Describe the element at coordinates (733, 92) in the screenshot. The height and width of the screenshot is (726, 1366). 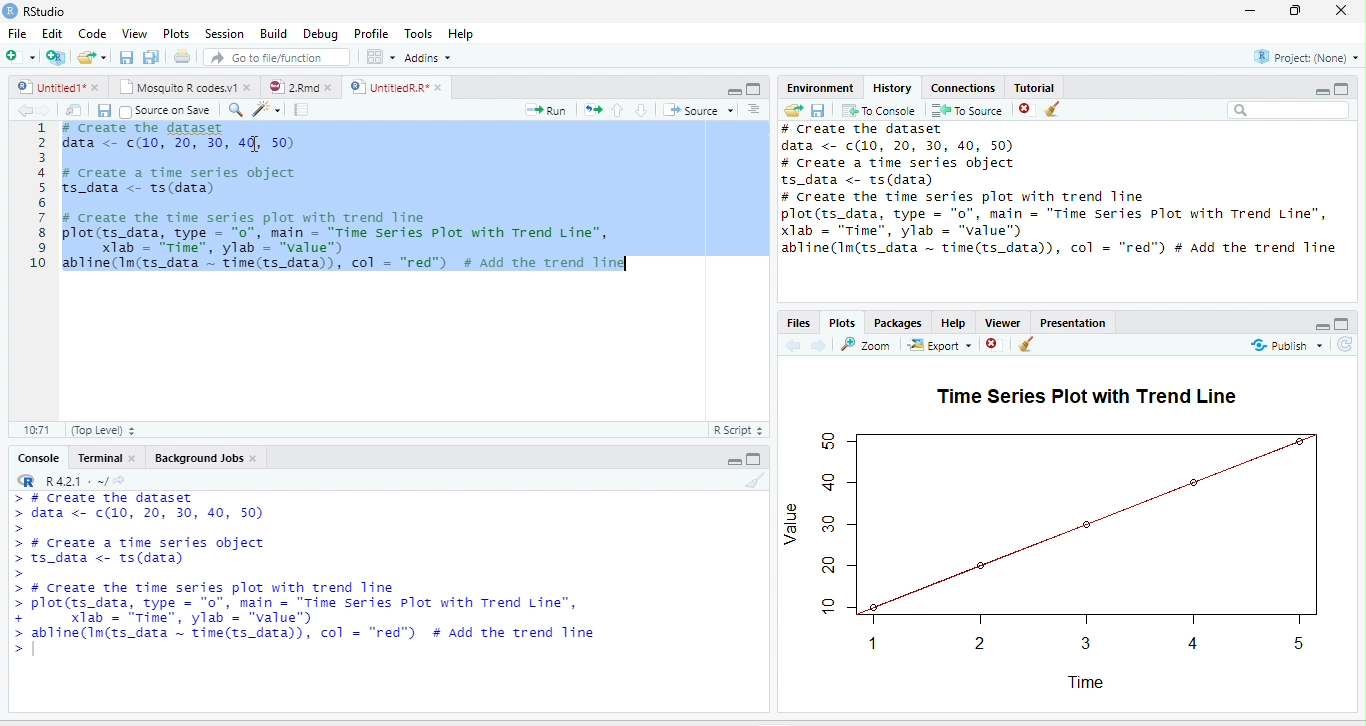
I see `Minimize` at that location.